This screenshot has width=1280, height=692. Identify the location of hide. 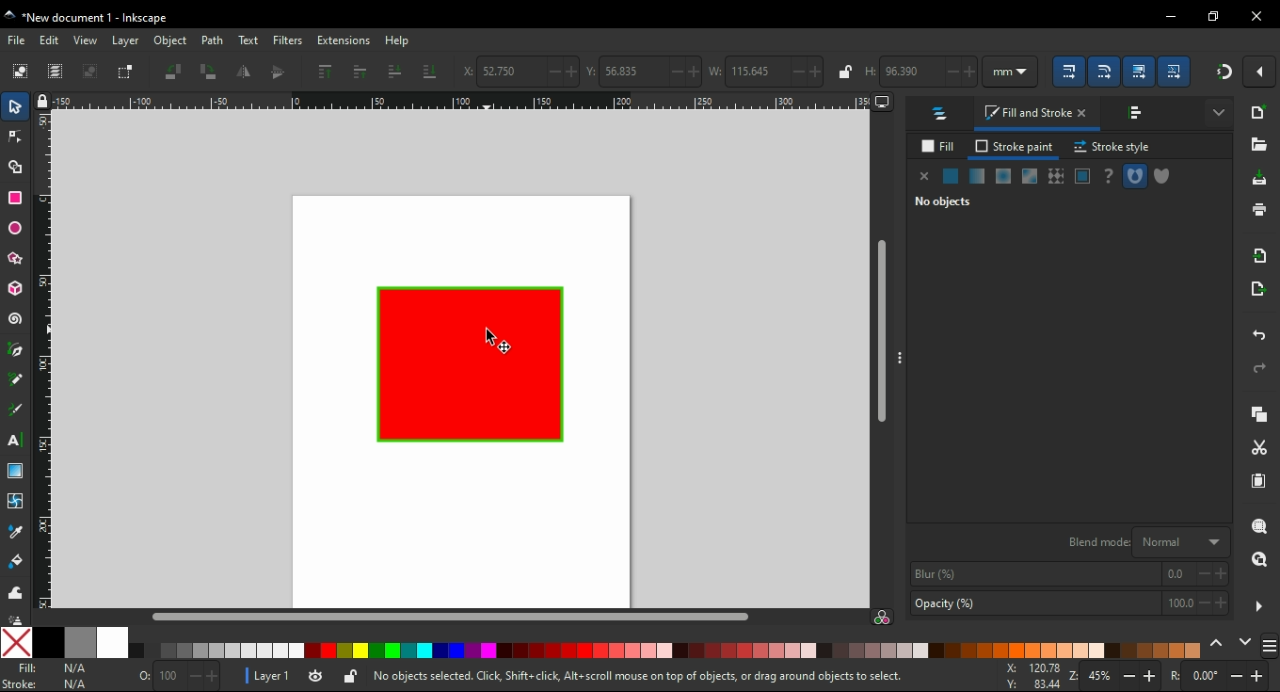
(1258, 607).